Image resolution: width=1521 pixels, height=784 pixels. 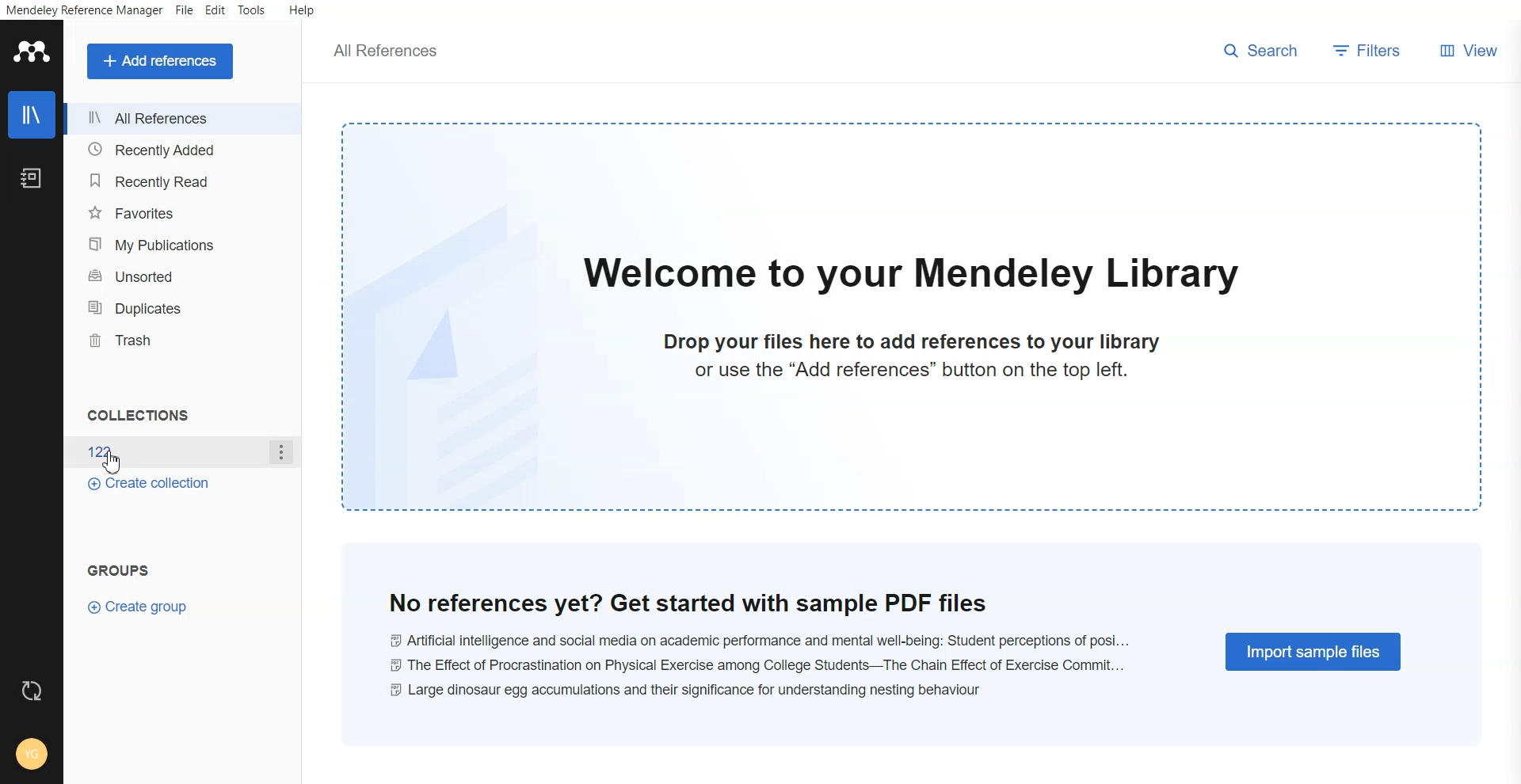 What do you see at coordinates (1259, 48) in the screenshot?
I see `search` at bounding box center [1259, 48].